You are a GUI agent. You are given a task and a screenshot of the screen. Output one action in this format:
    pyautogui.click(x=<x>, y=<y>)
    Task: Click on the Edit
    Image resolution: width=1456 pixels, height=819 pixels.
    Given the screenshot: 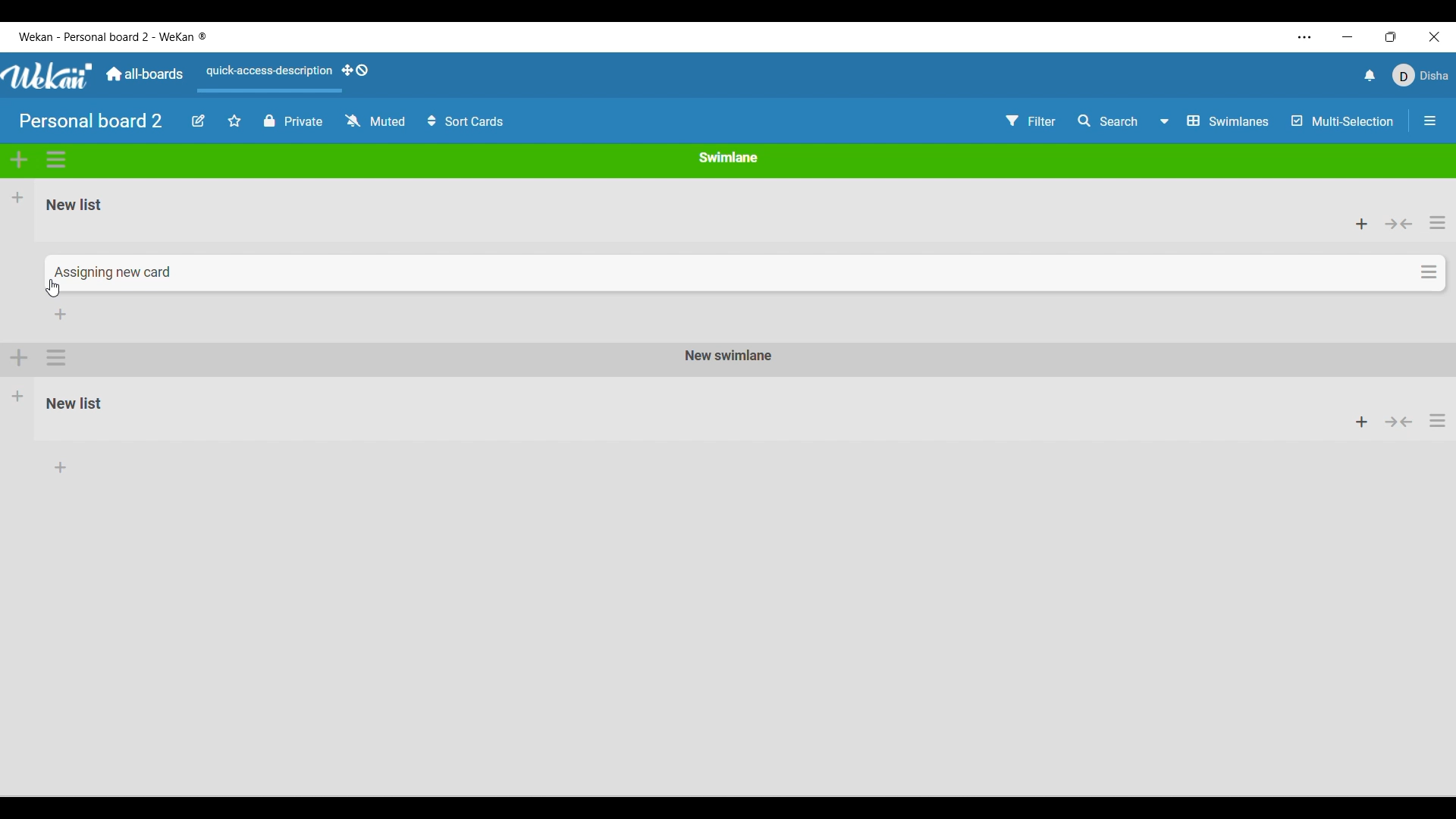 What is the action you would take?
    pyautogui.click(x=199, y=120)
    